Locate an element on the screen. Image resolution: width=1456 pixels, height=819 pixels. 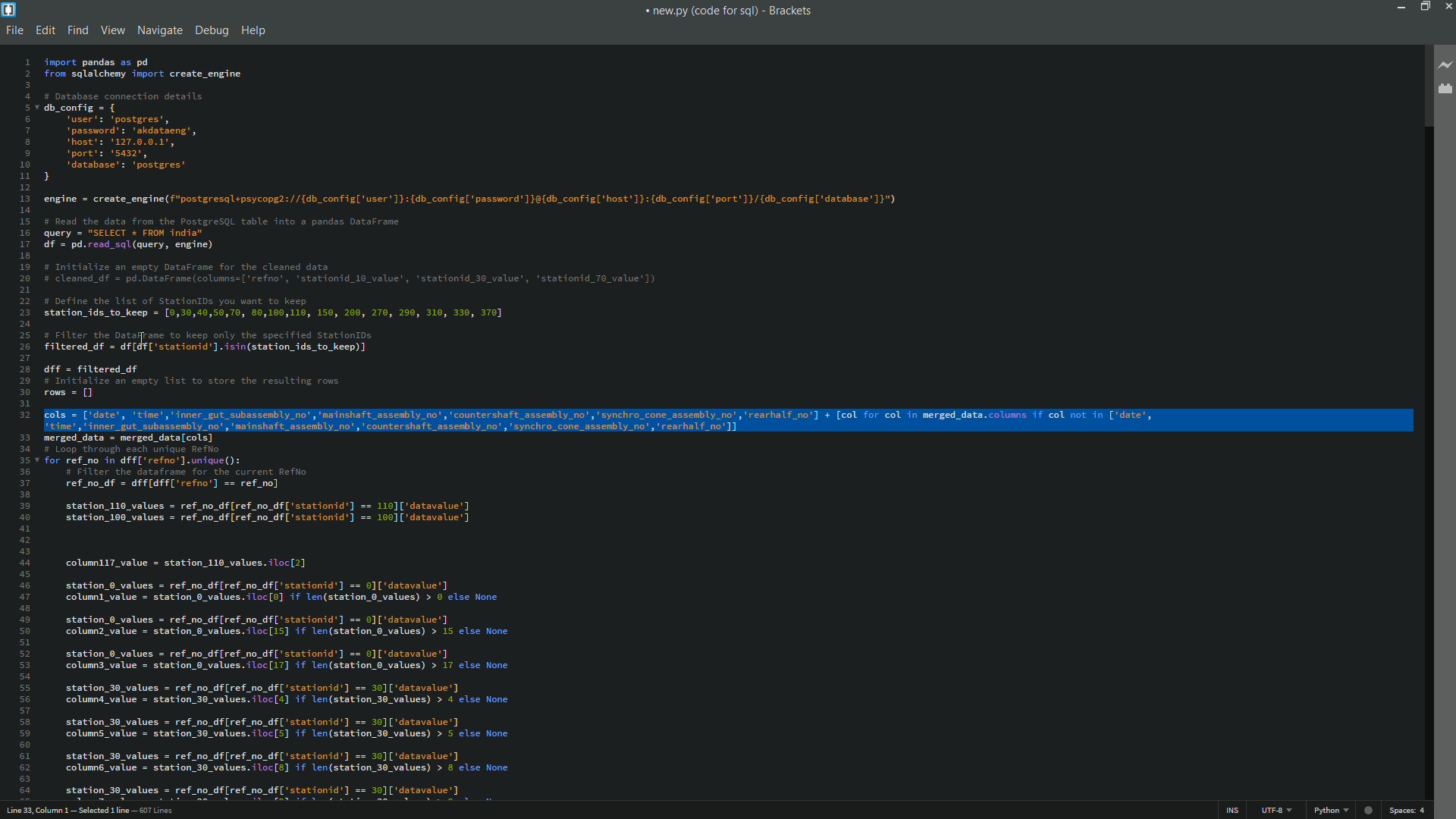
navigate menu is located at coordinates (160, 30).